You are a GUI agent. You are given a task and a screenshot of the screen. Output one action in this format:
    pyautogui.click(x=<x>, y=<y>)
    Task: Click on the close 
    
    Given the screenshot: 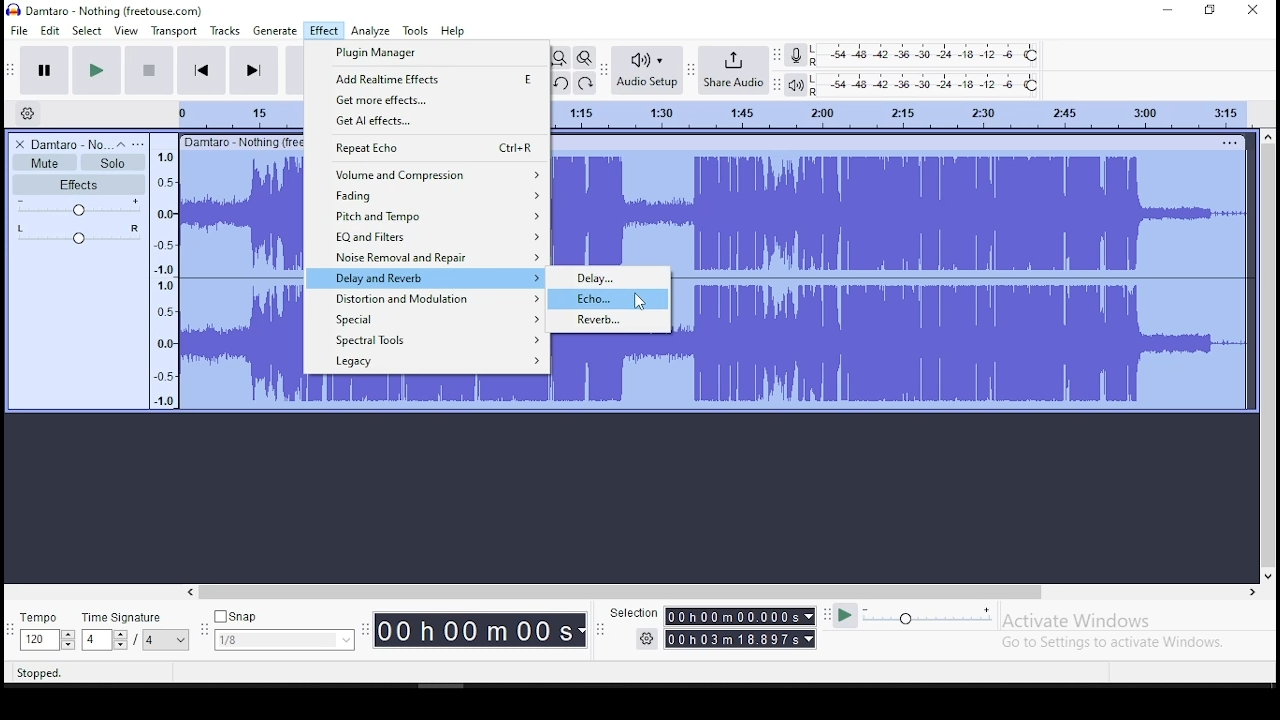 What is the action you would take?
    pyautogui.click(x=1250, y=10)
    